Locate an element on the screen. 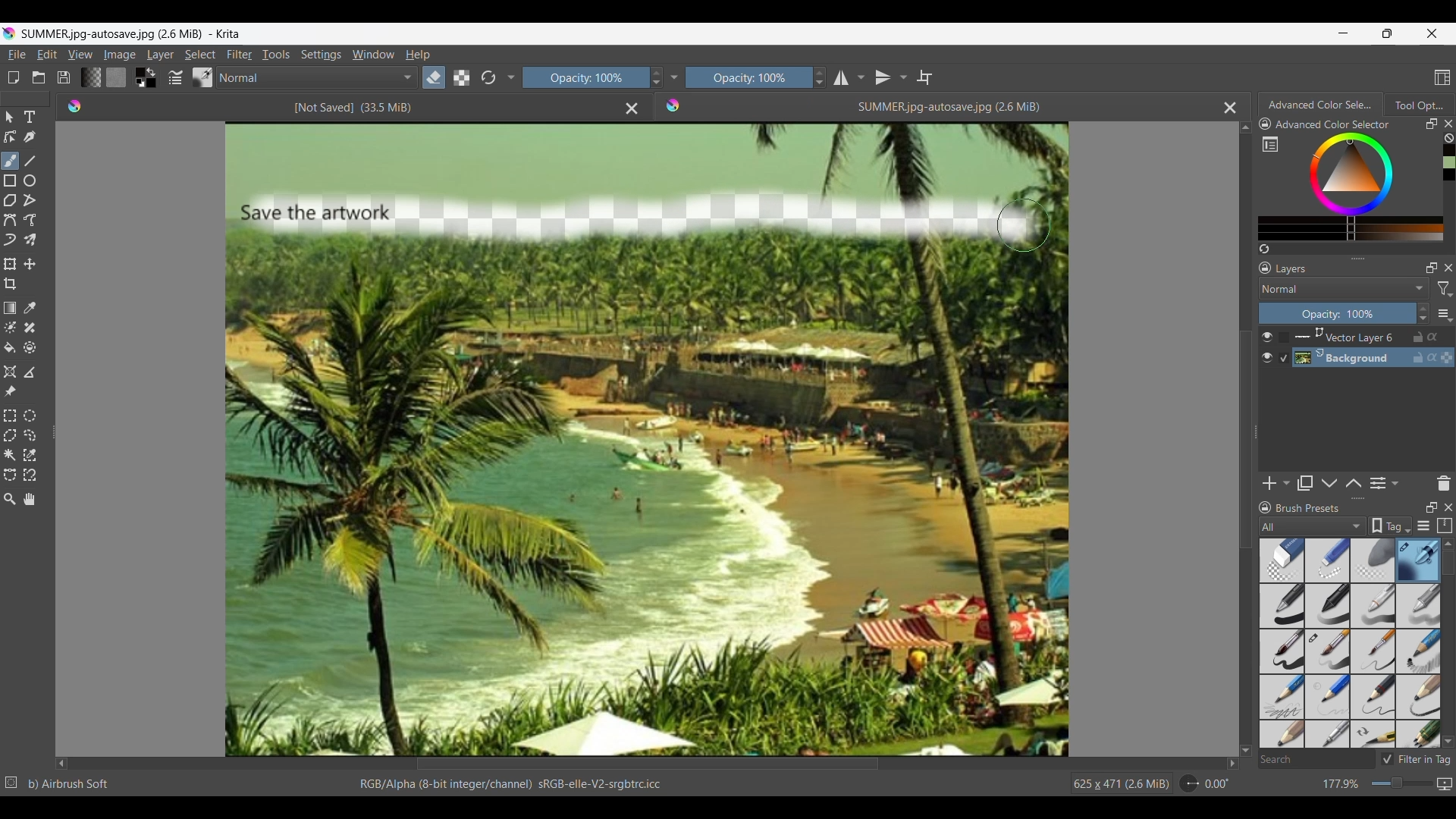 This screenshot has height=819, width=1456. Wrap around mode is located at coordinates (924, 77).